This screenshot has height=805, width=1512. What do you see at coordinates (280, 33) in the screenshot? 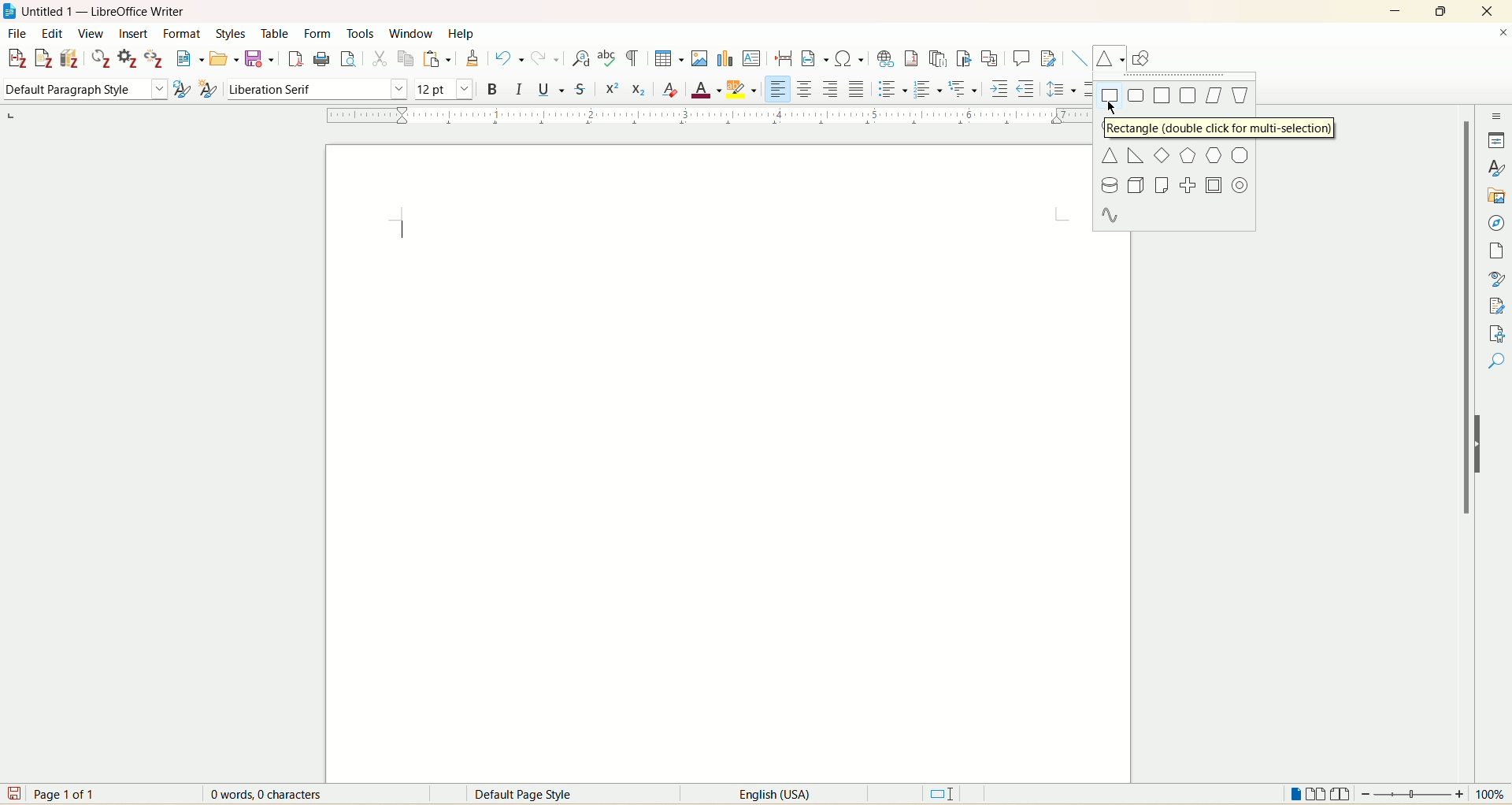
I see `table` at bounding box center [280, 33].